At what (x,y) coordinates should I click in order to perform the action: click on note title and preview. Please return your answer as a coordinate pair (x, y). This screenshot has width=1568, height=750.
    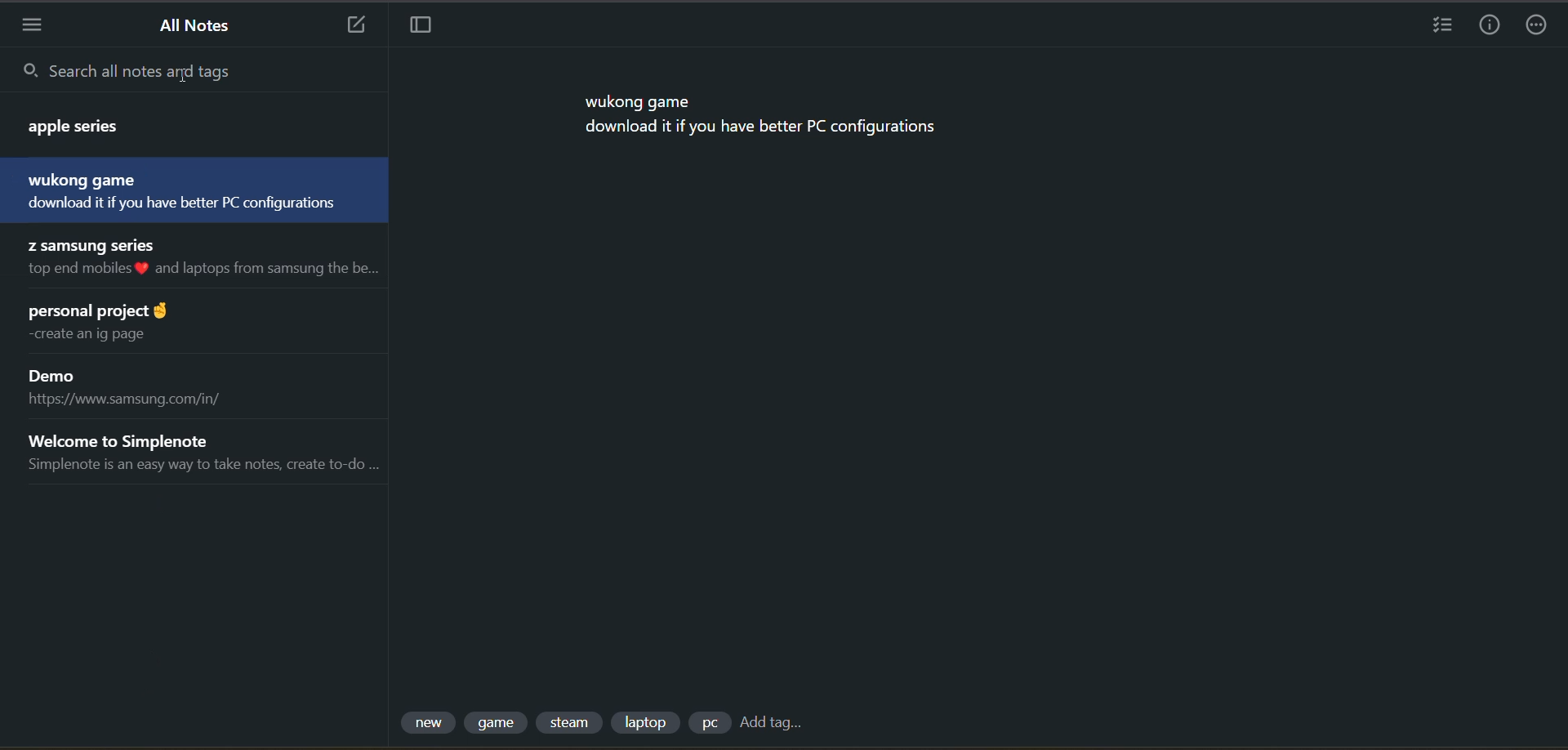
    Looking at the image, I should click on (141, 386).